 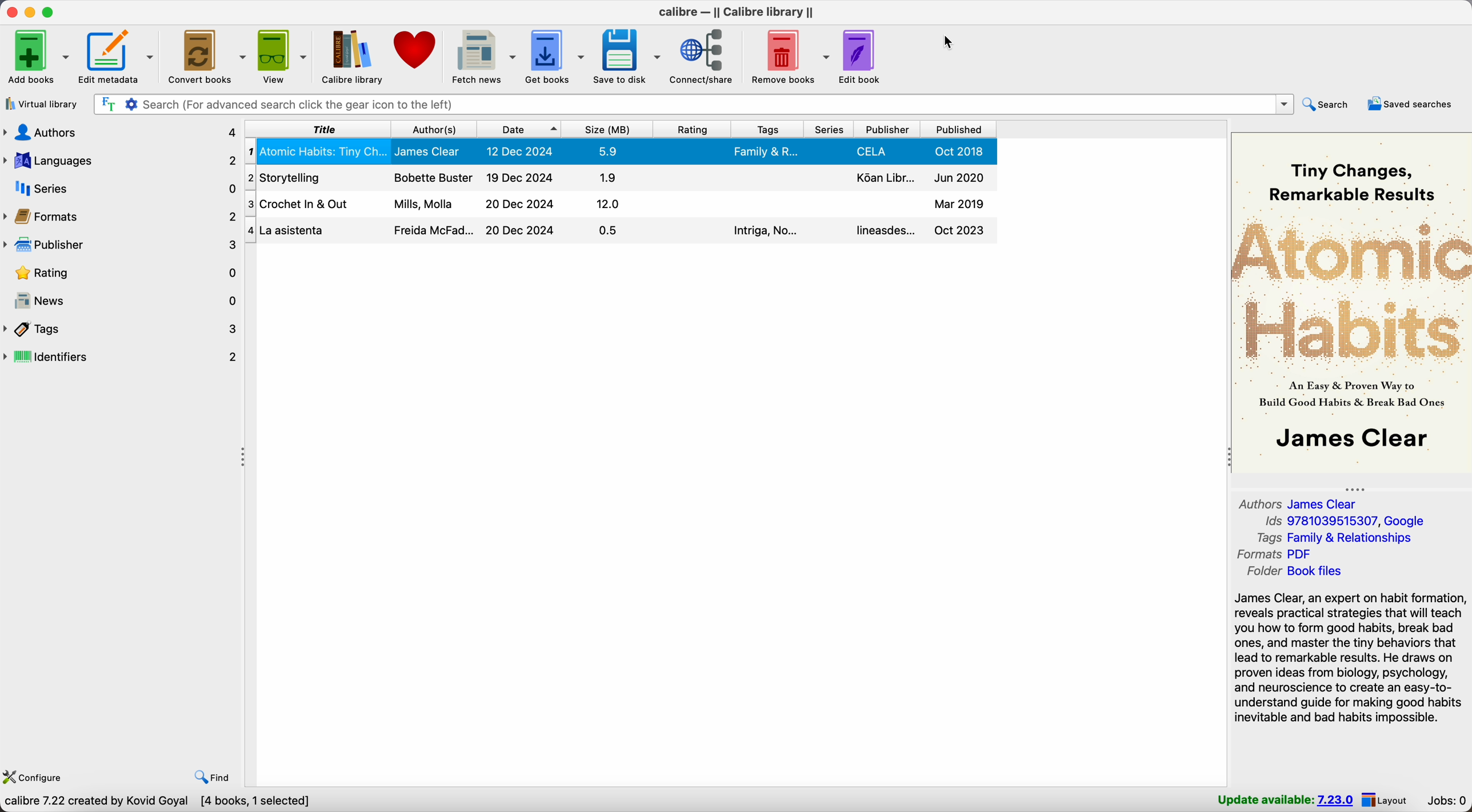 What do you see at coordinates (436, 129) in the screenshot?
I see `author(s)` at bounding box center [436, 129].